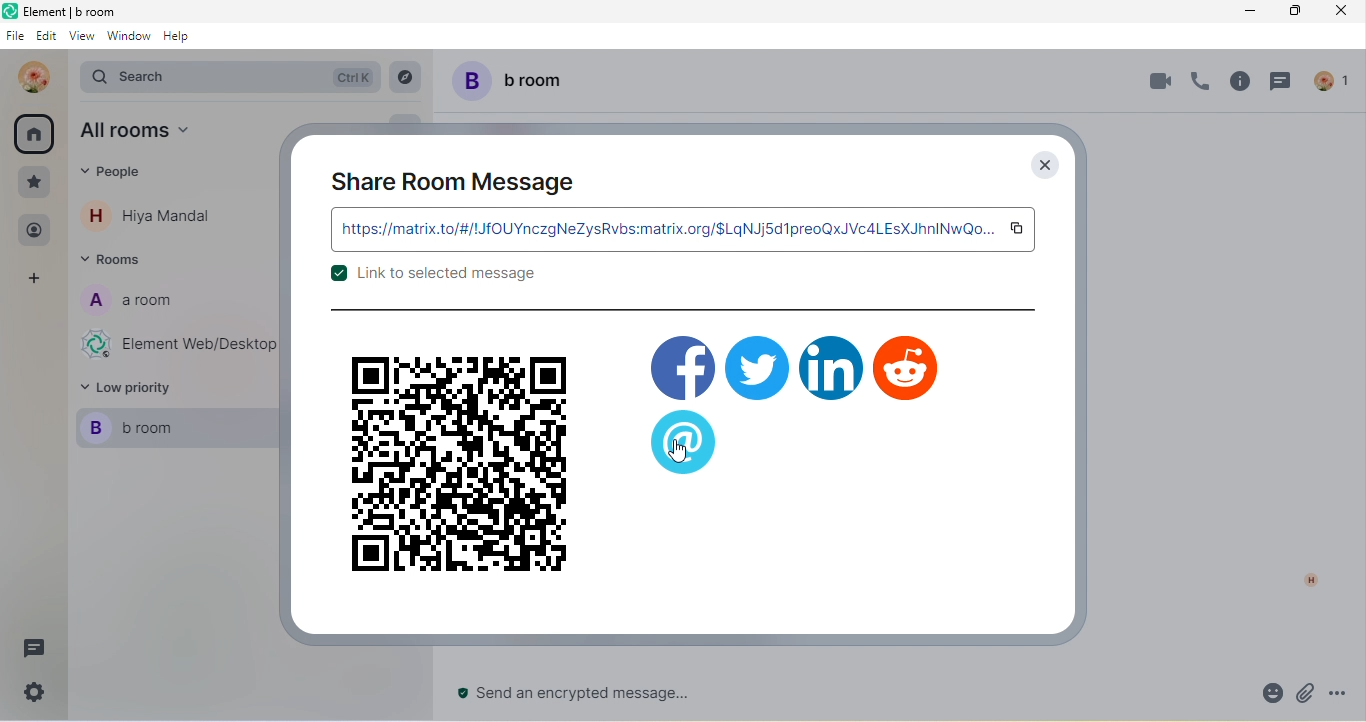  I want to click on thread, so click(33, 649).